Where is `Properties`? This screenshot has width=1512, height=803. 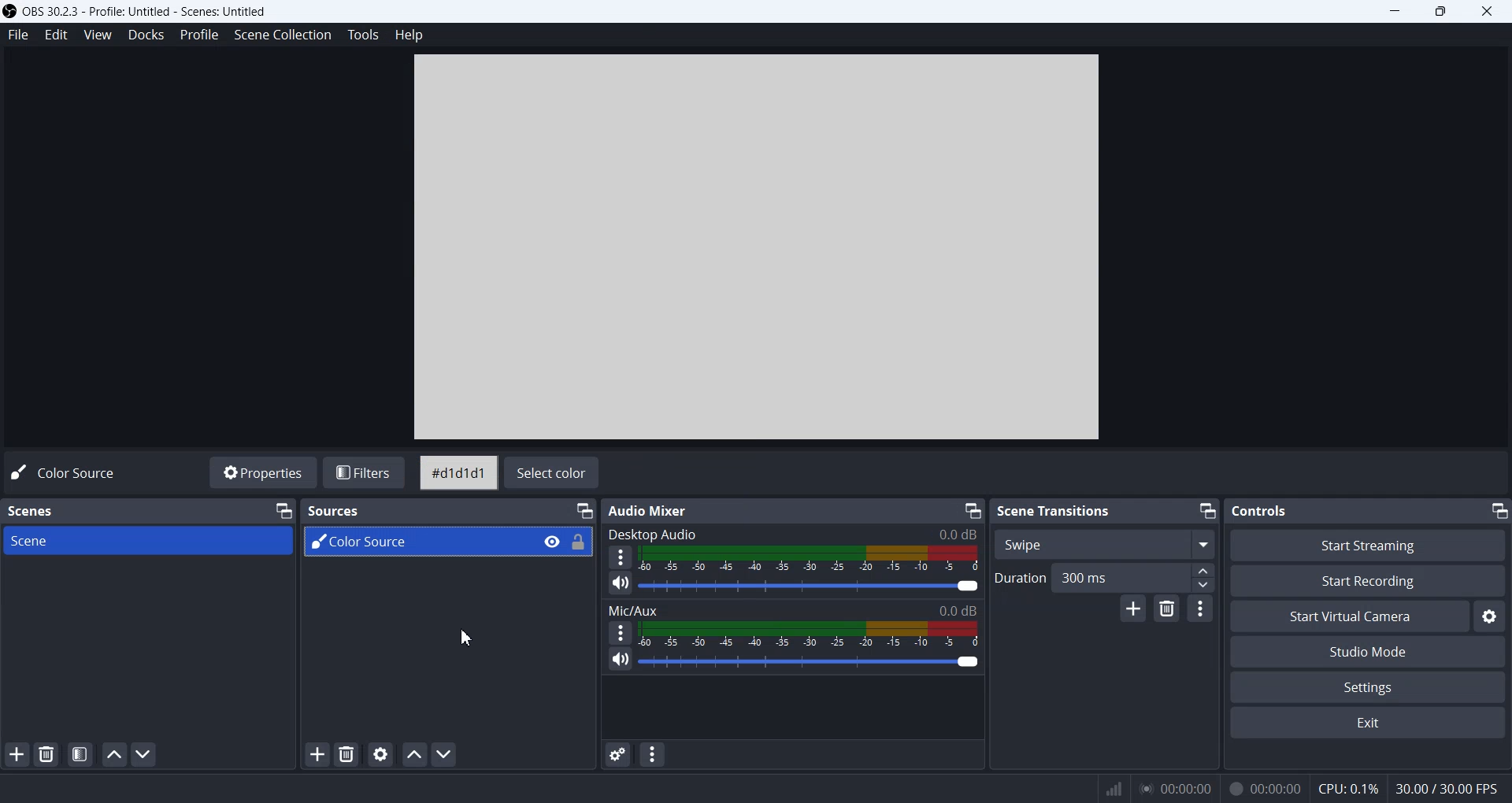
Properties is located at coordinates (262, 473).